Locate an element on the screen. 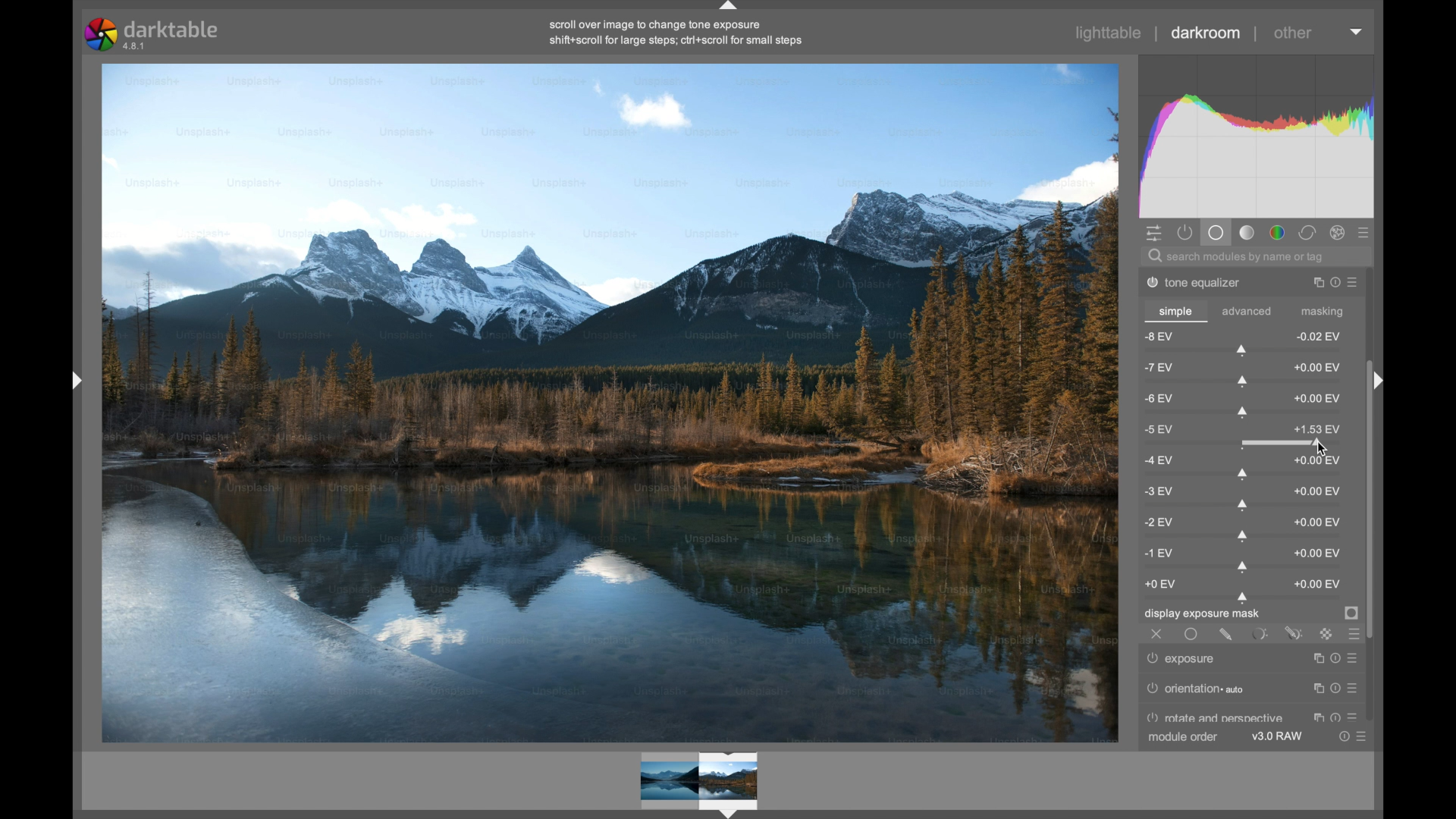  parametric mask is located at coordinates (1259, 635).